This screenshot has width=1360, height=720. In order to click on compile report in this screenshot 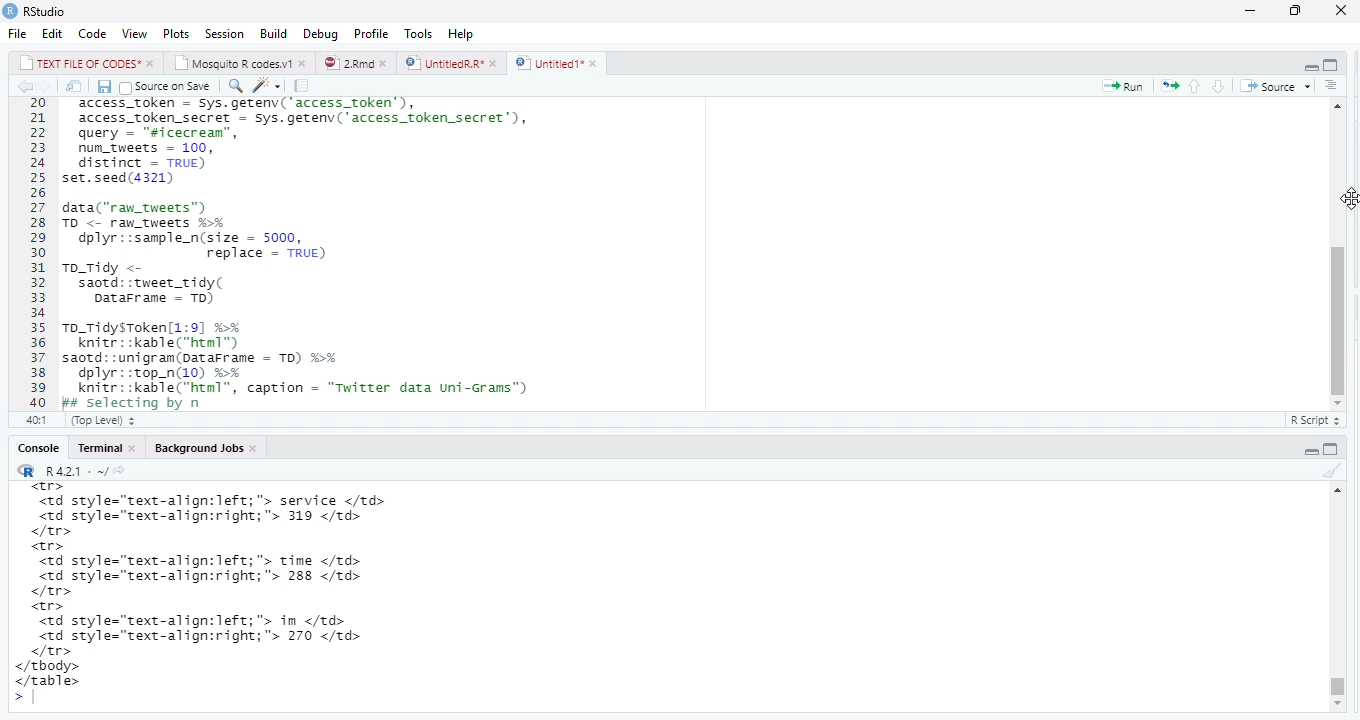, I will do `click(301, 85)`.